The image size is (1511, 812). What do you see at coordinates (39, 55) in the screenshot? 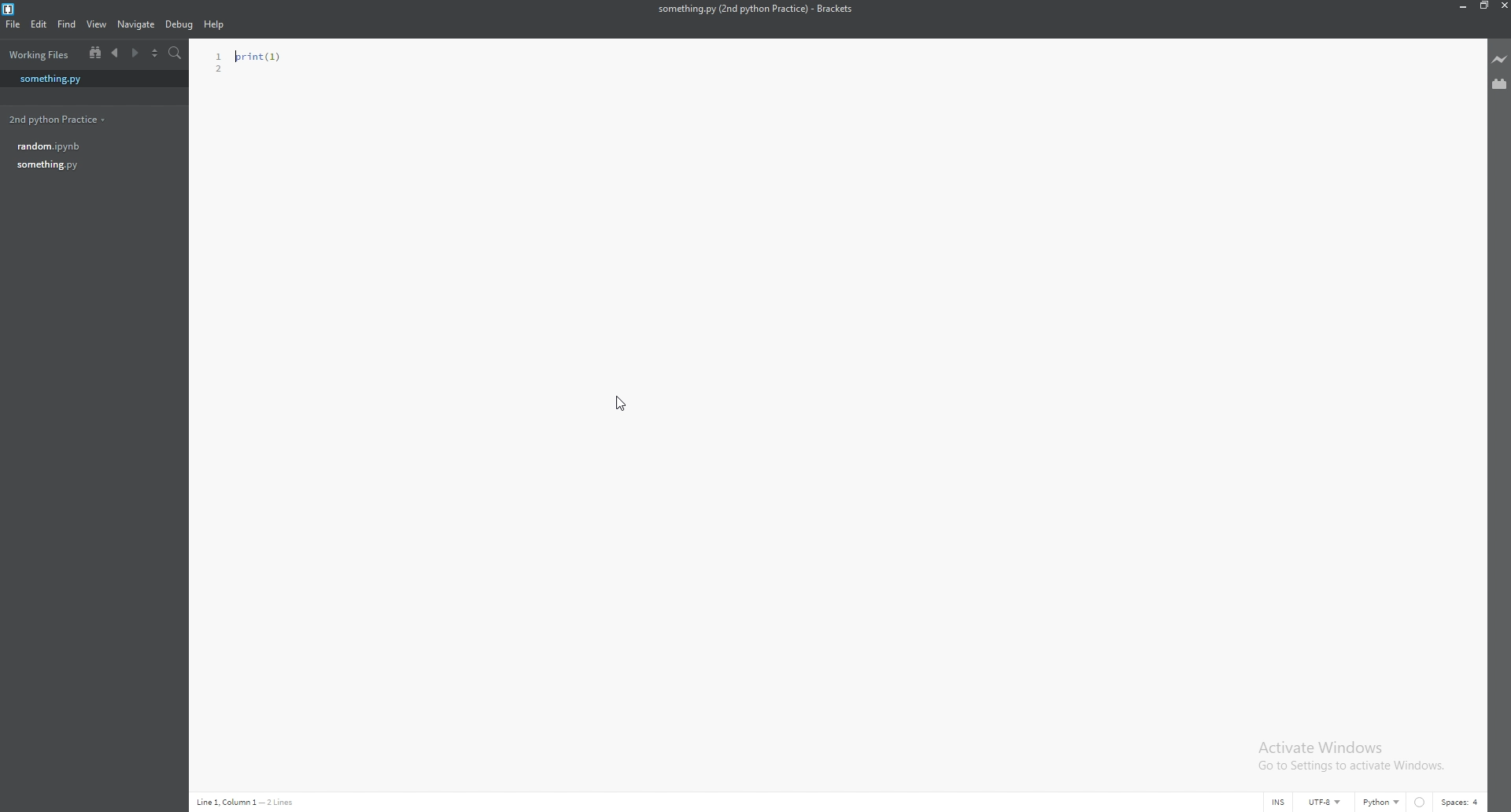
I see `working files` at bounding box center [39, 55].